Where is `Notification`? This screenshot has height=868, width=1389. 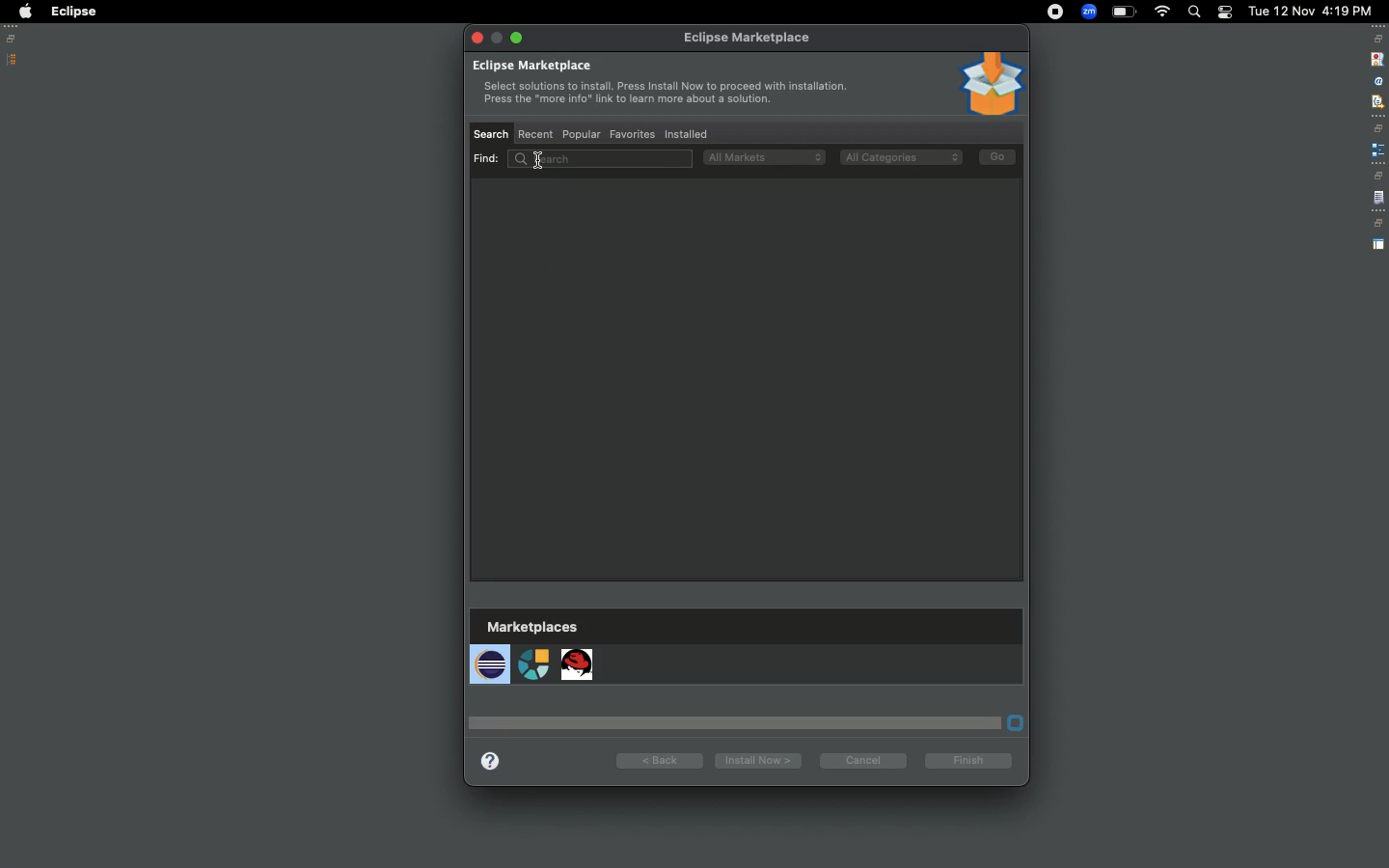 Notification is located at coordinates (1224, 13).